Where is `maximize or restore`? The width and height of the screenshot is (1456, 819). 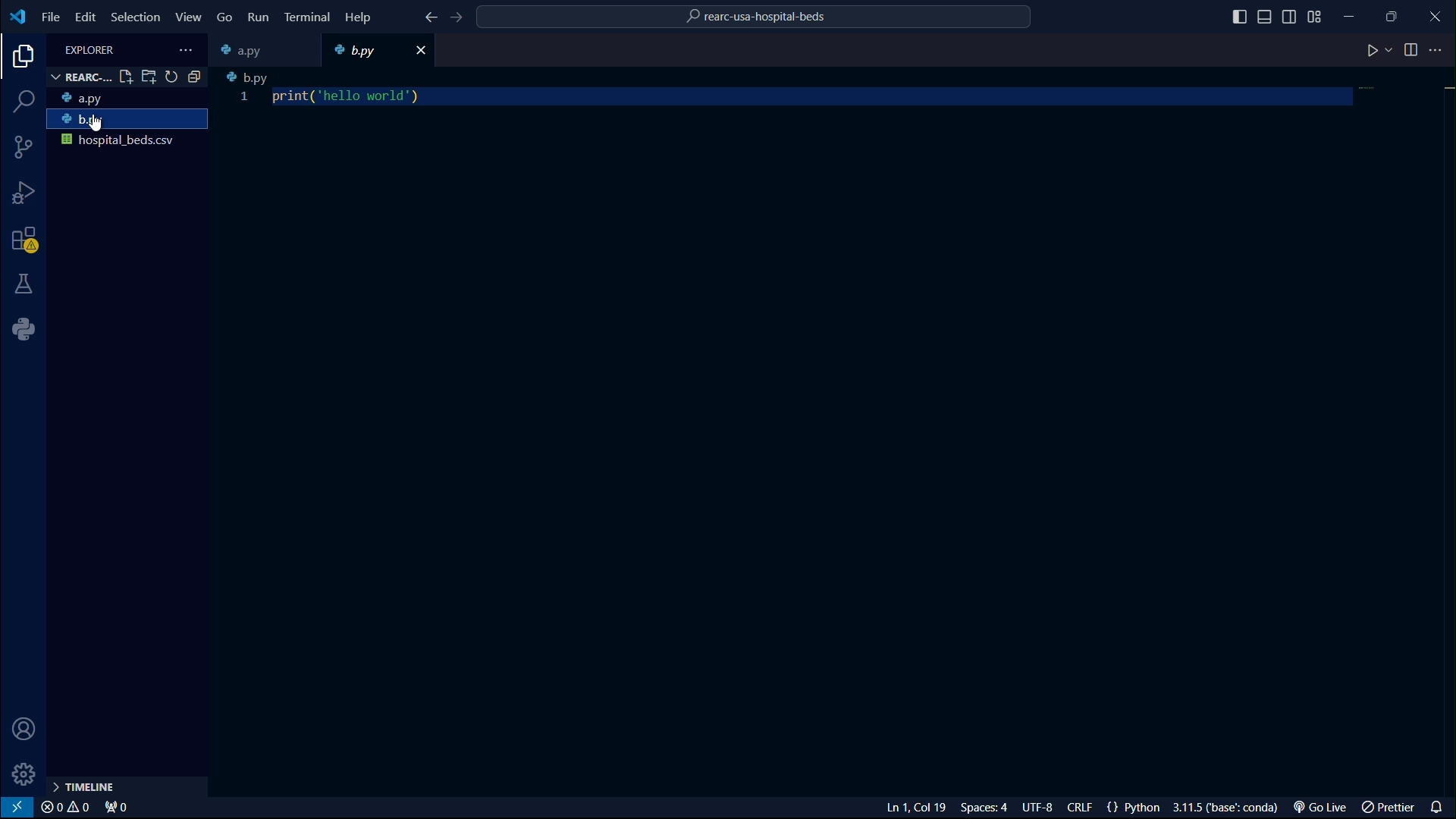 maximize or restore is located at coordinates (1399, 16).